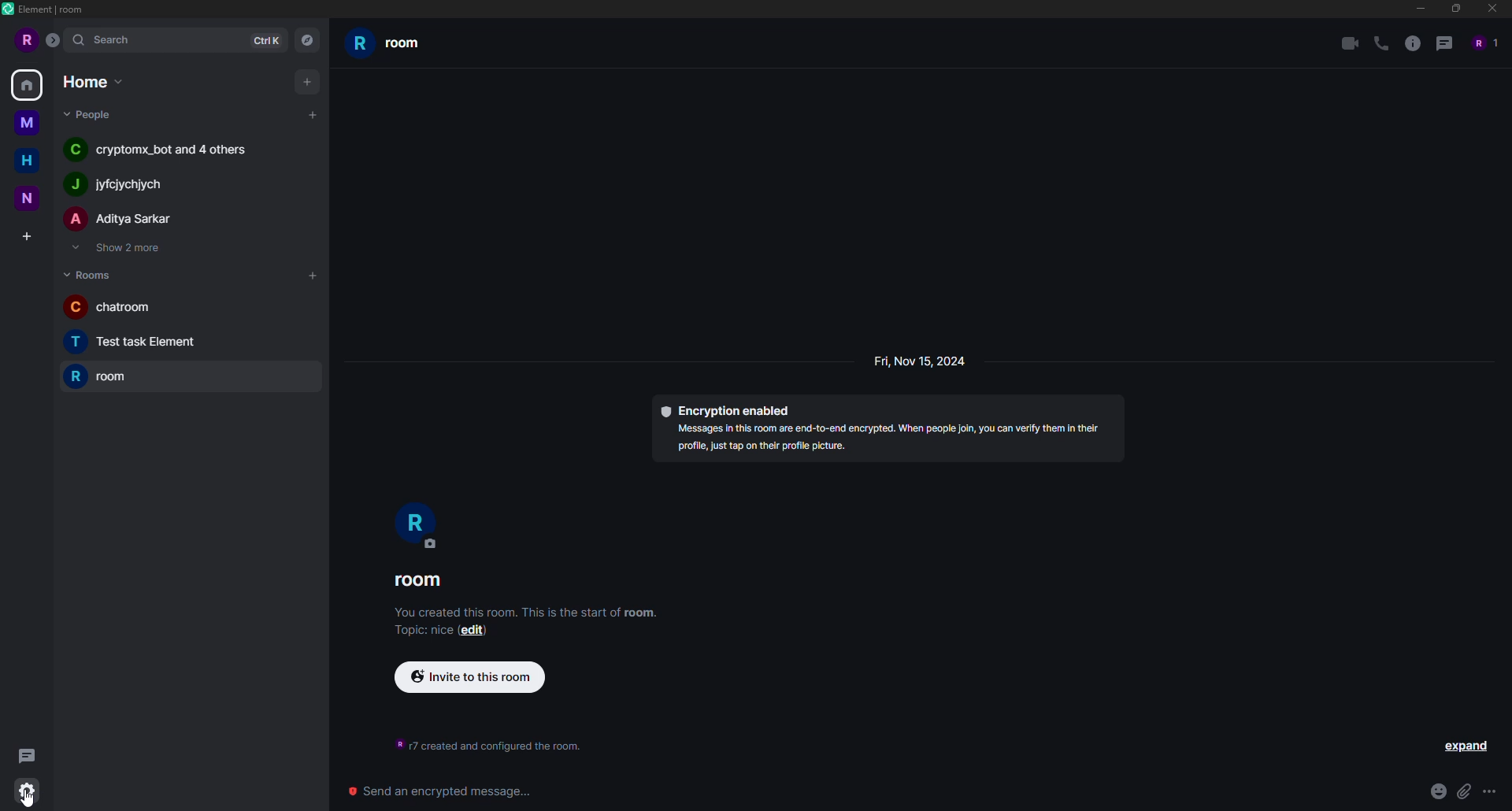  Describe the element at coordinates (102, 378) in the screenshot. I see `r room` at that location.